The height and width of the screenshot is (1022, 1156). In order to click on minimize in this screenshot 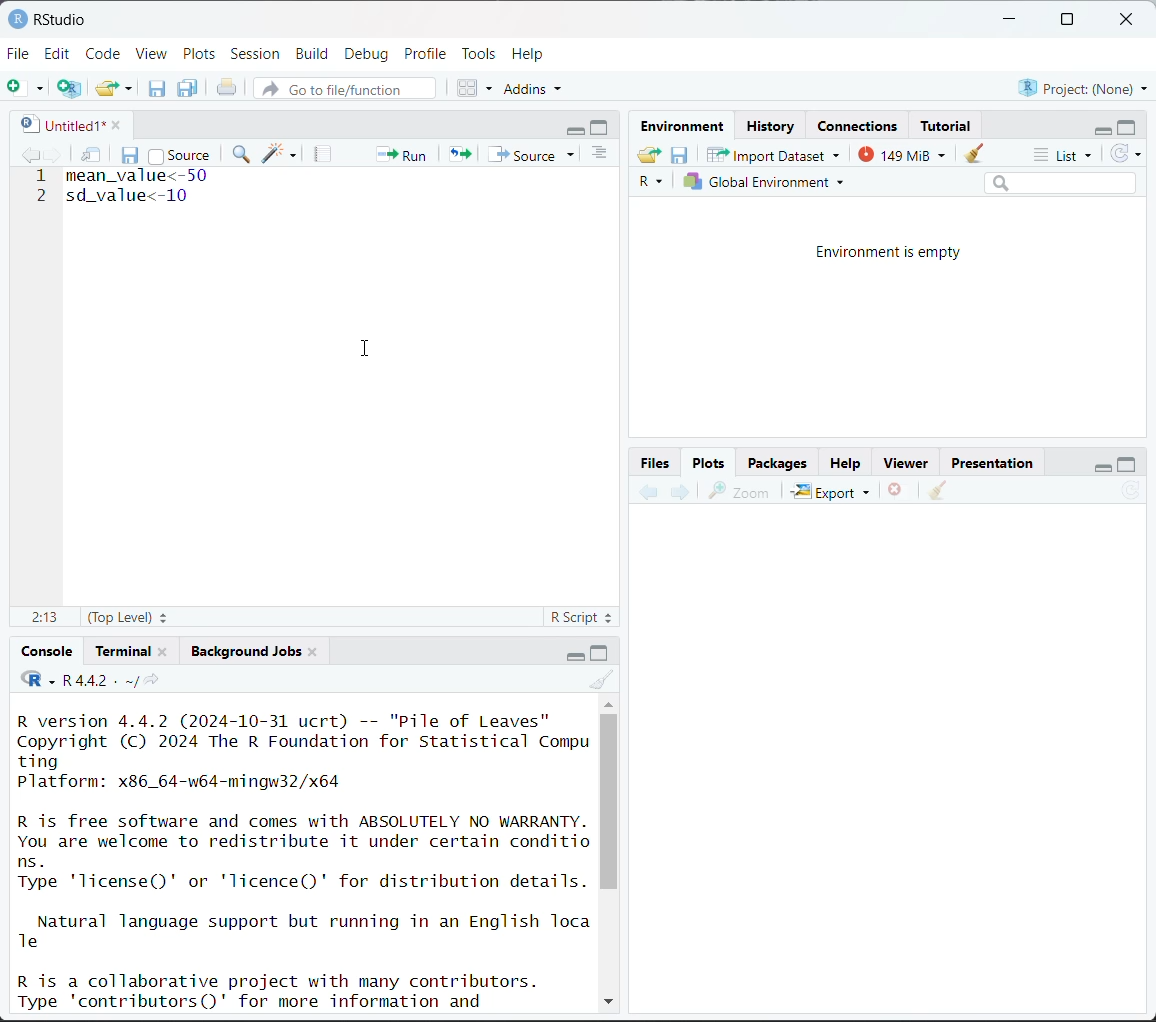, I will do `click(1099, 464)`.